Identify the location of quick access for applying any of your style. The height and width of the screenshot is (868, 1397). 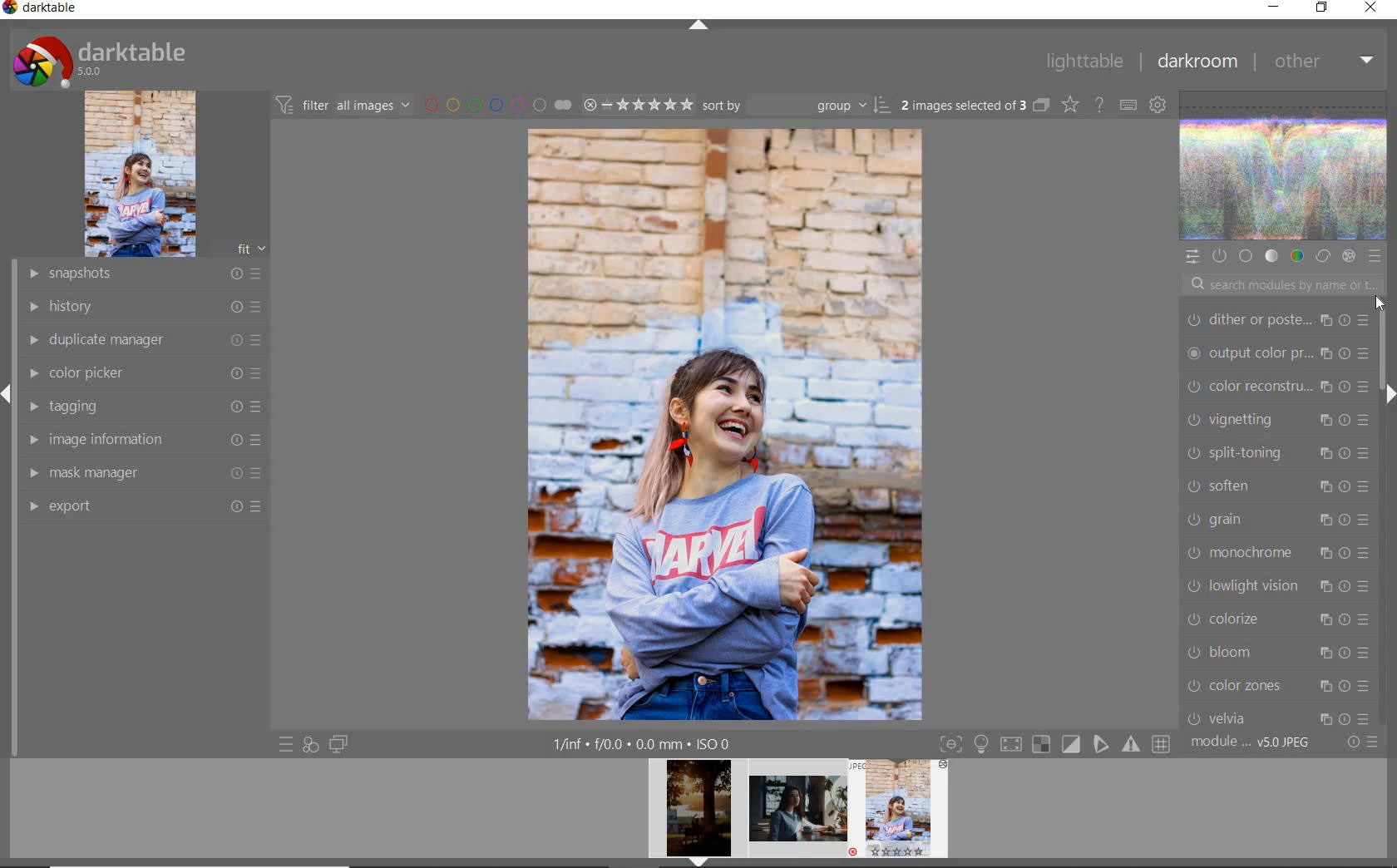
(309, 744).